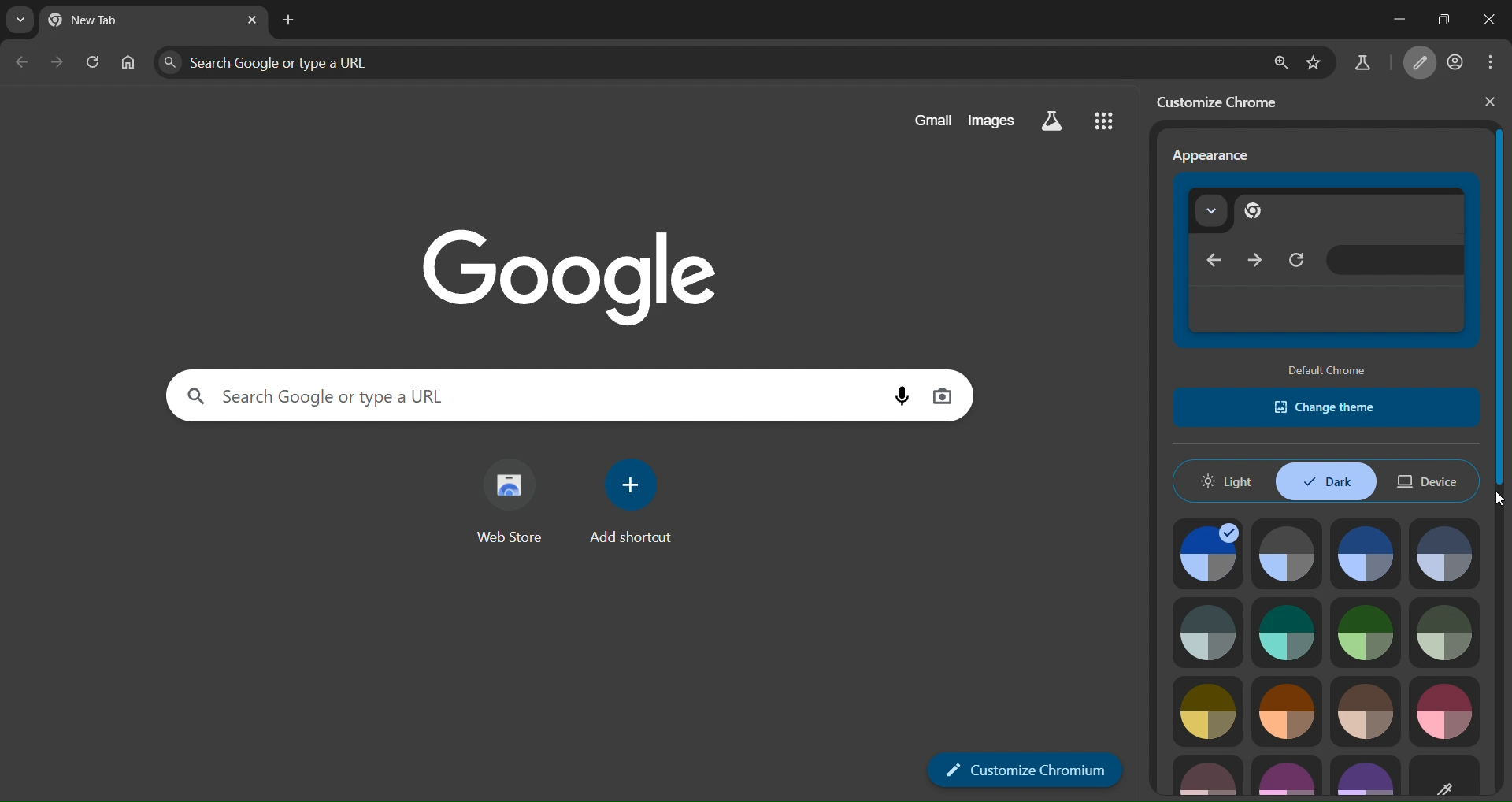  What do you see at coordinates (1326, 407) in the screenshot?
I see `change chrome` at bounding box center [1326, 407].